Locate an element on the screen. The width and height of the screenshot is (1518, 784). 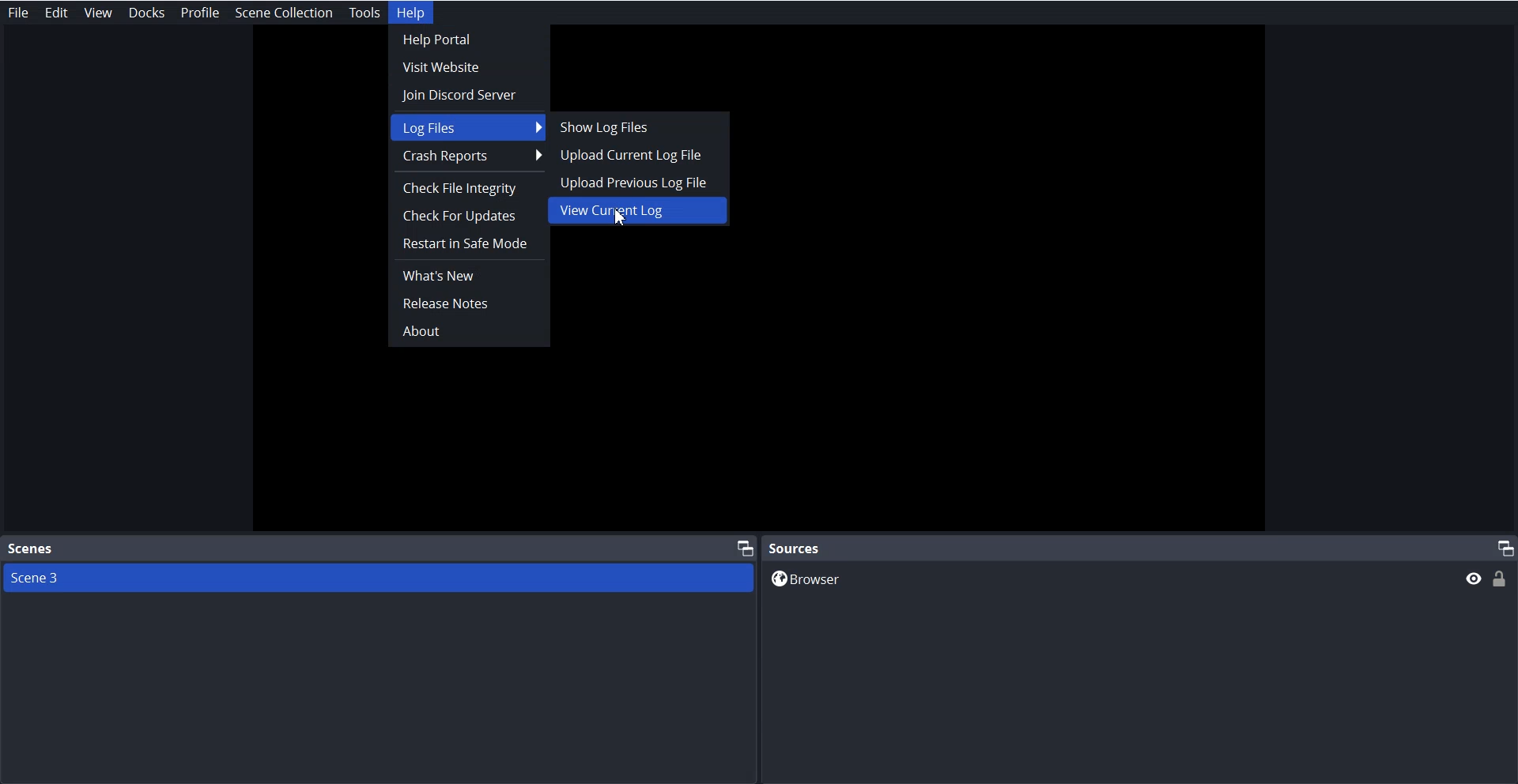
Lock is located at coordinates (1504, 579).